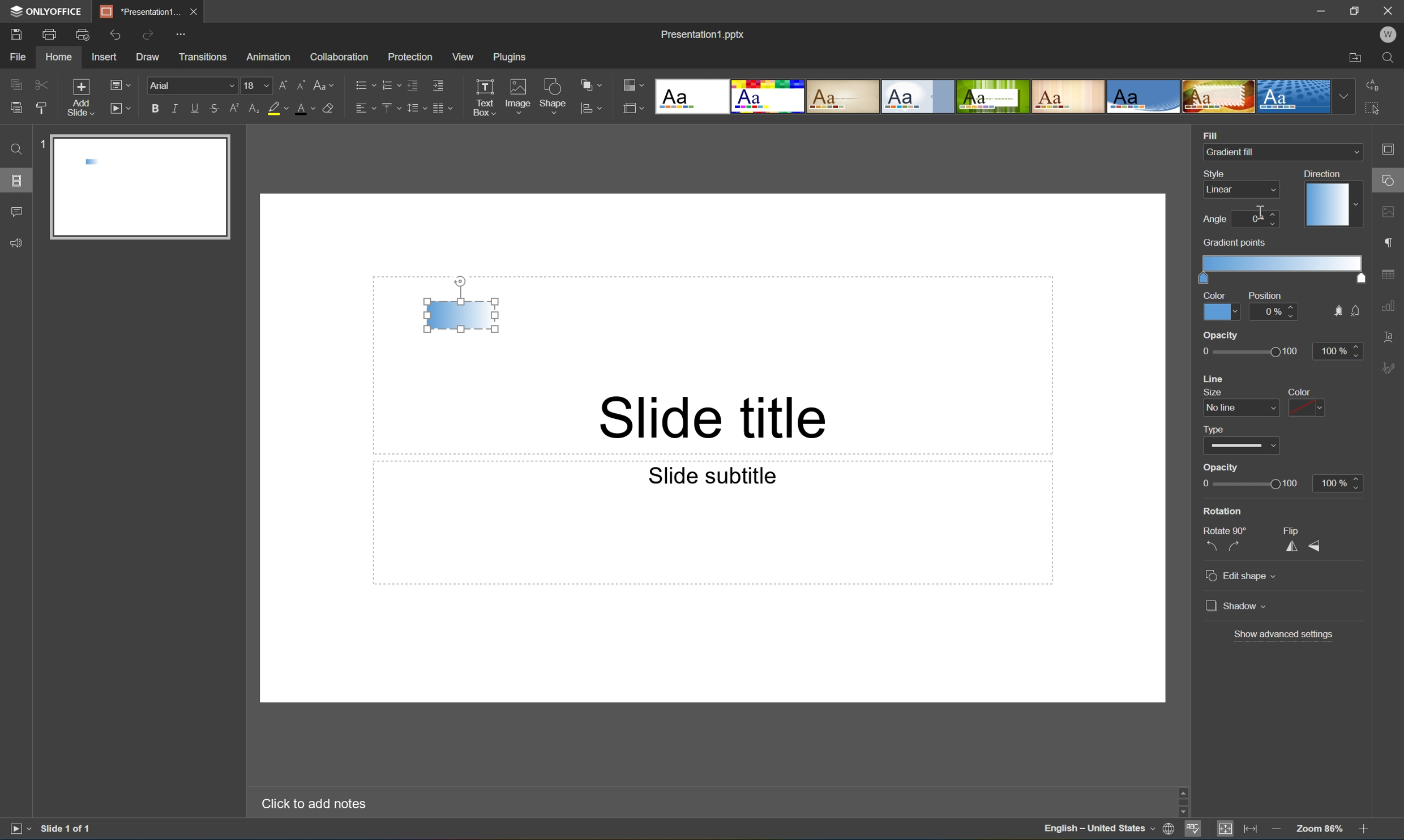  What do you see at coordinates (1325, 11) in the screenshot?
I see `Minimize` at bounding box center [1325, 11].